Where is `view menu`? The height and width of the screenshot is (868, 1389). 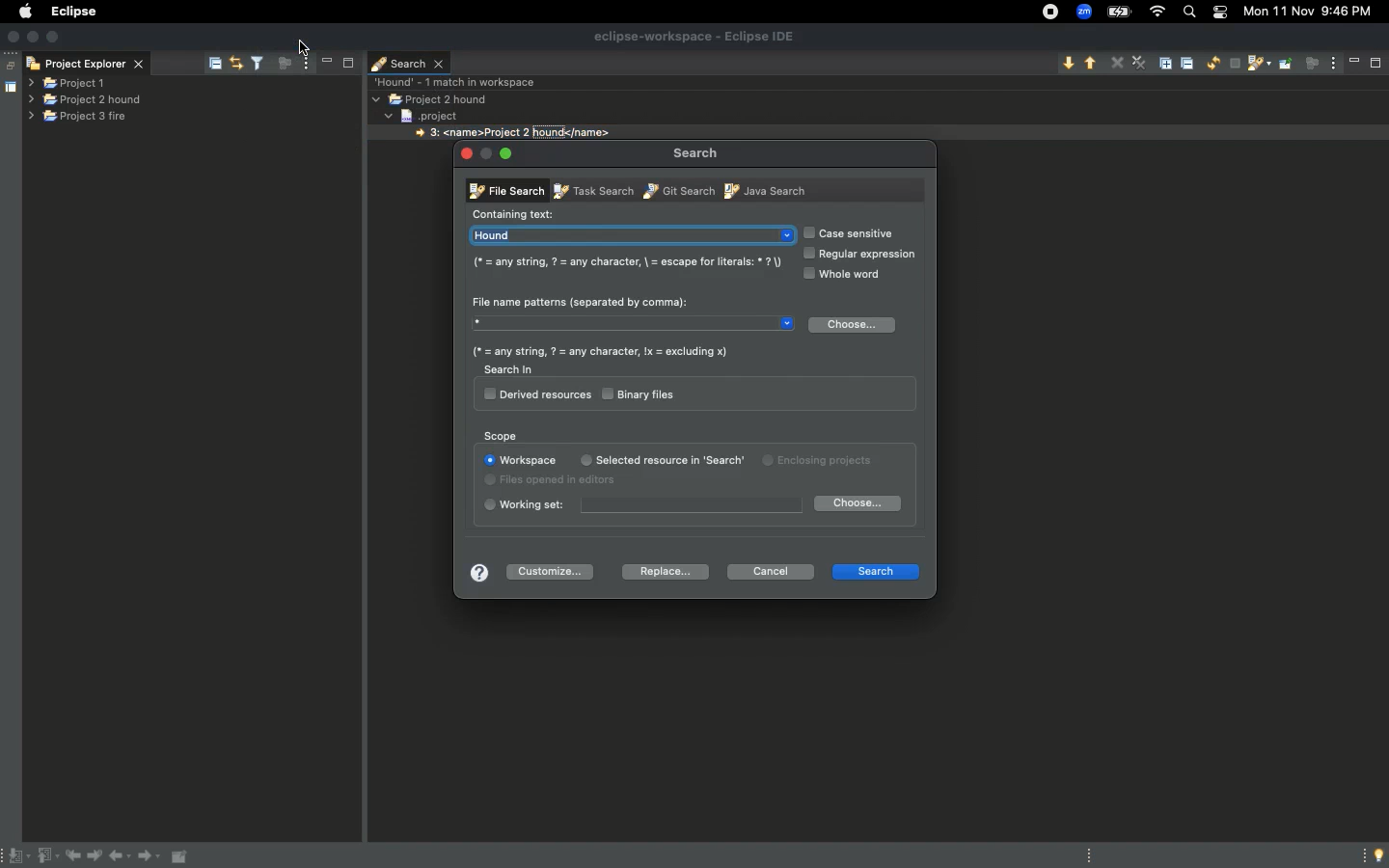
view menu is located at coordinates (305, 64).